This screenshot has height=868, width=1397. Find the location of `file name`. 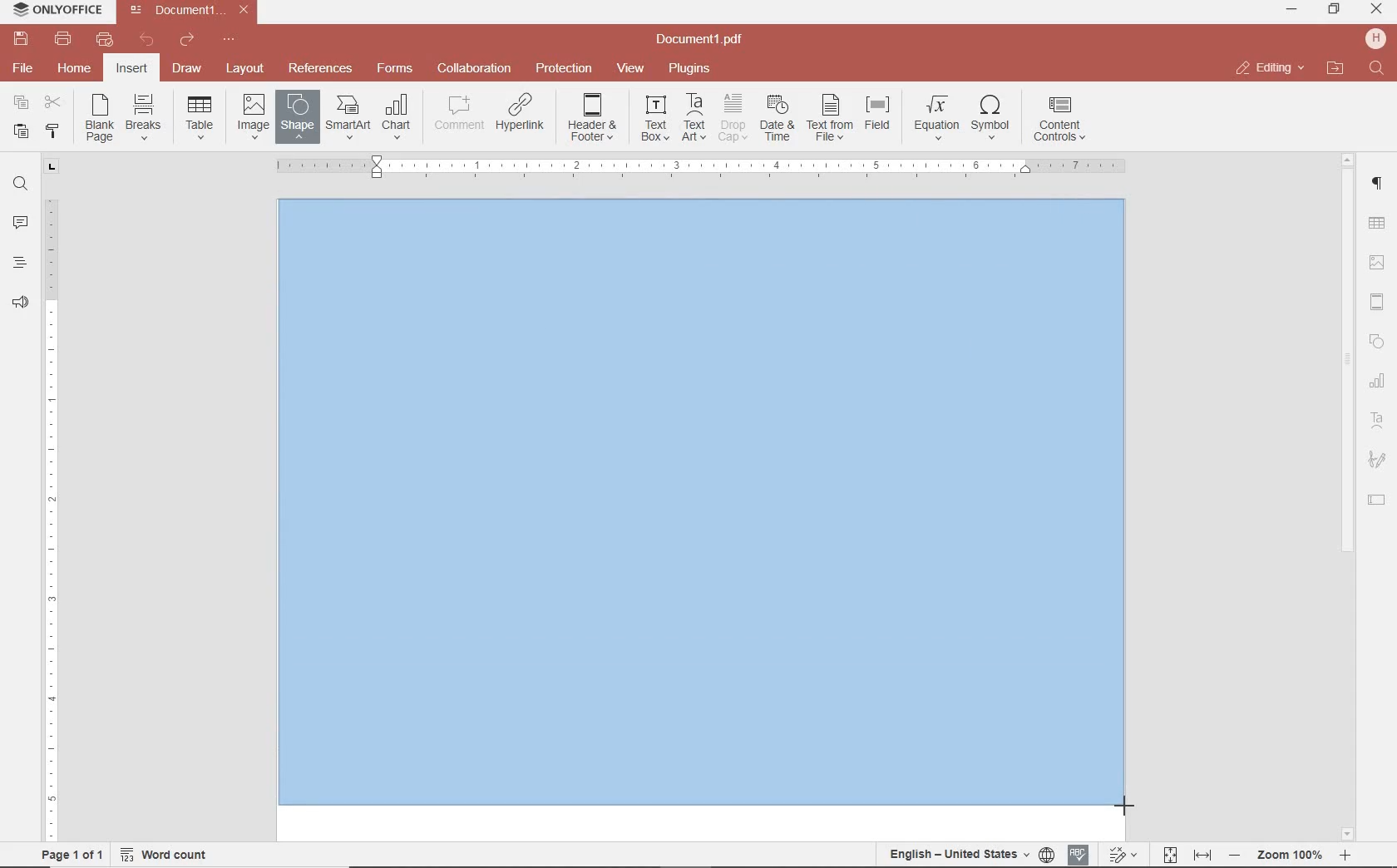

file name is located at coordinates (704, 40).